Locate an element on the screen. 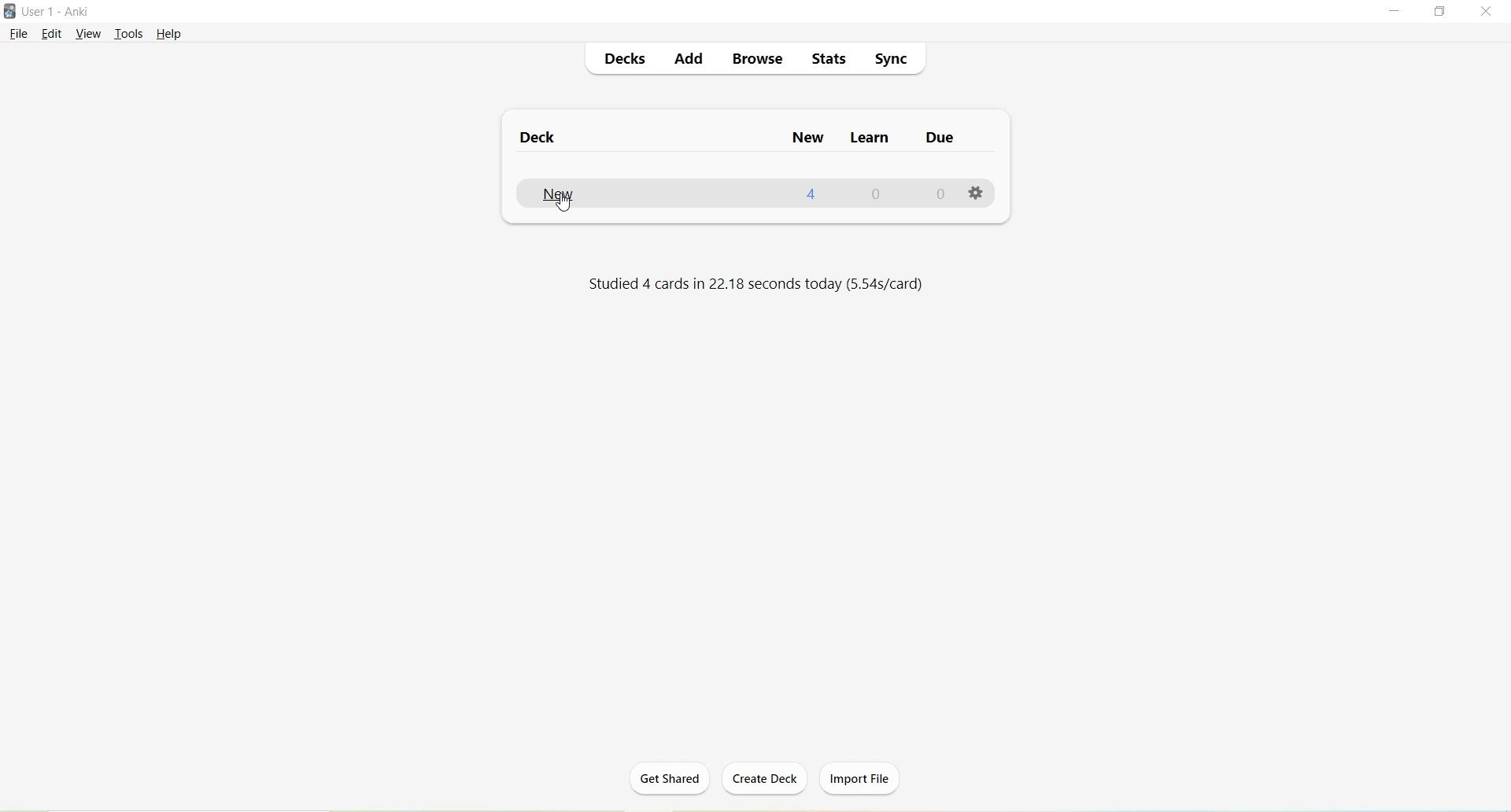 This screenshot has width=1511, height=812. Logo is located at coordinates (9, 12).